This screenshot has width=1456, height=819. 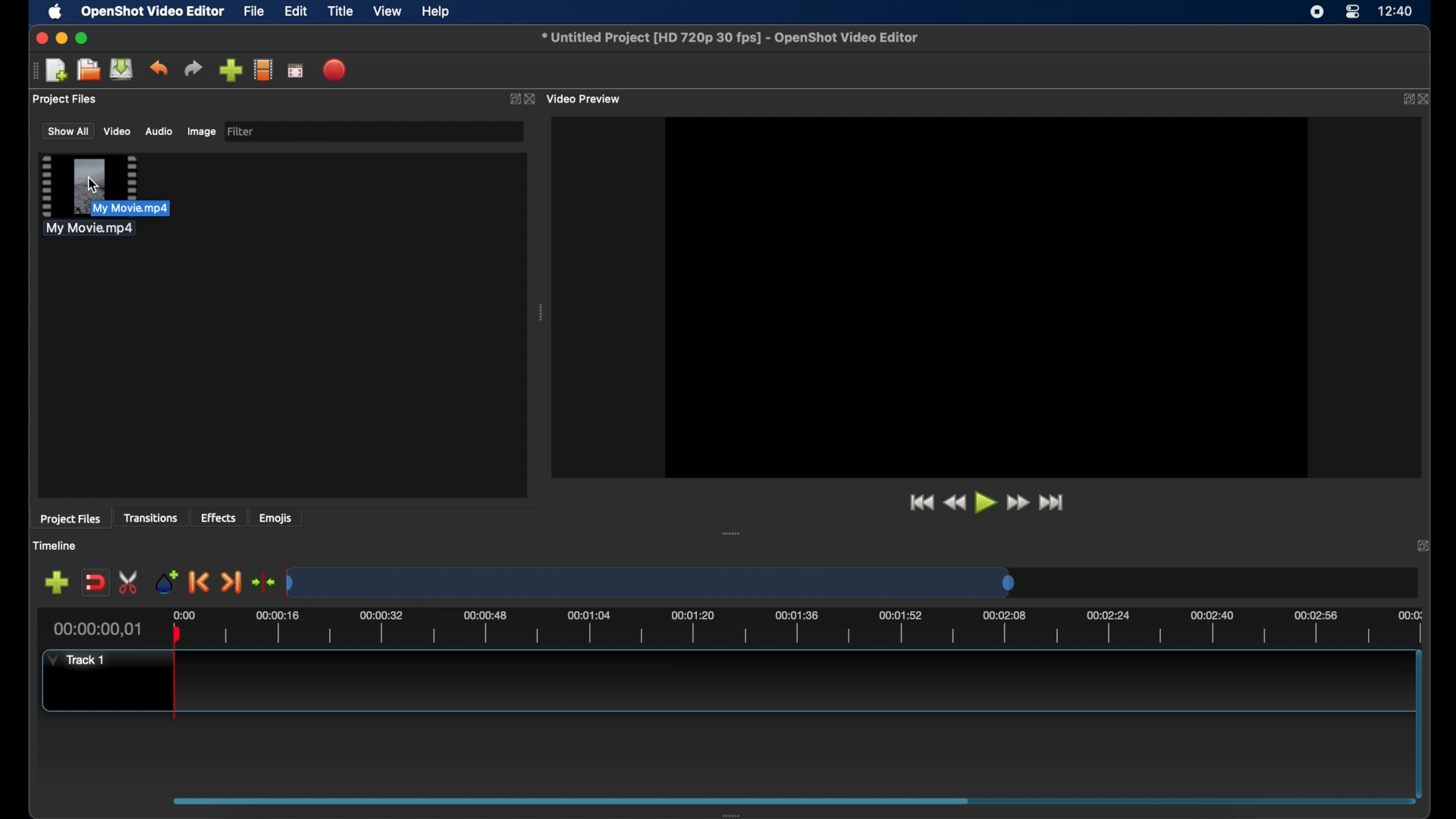 What do you see at coordinates (121, 69) in the screenshot?
I see `save project` at bounding box center [121, 69].